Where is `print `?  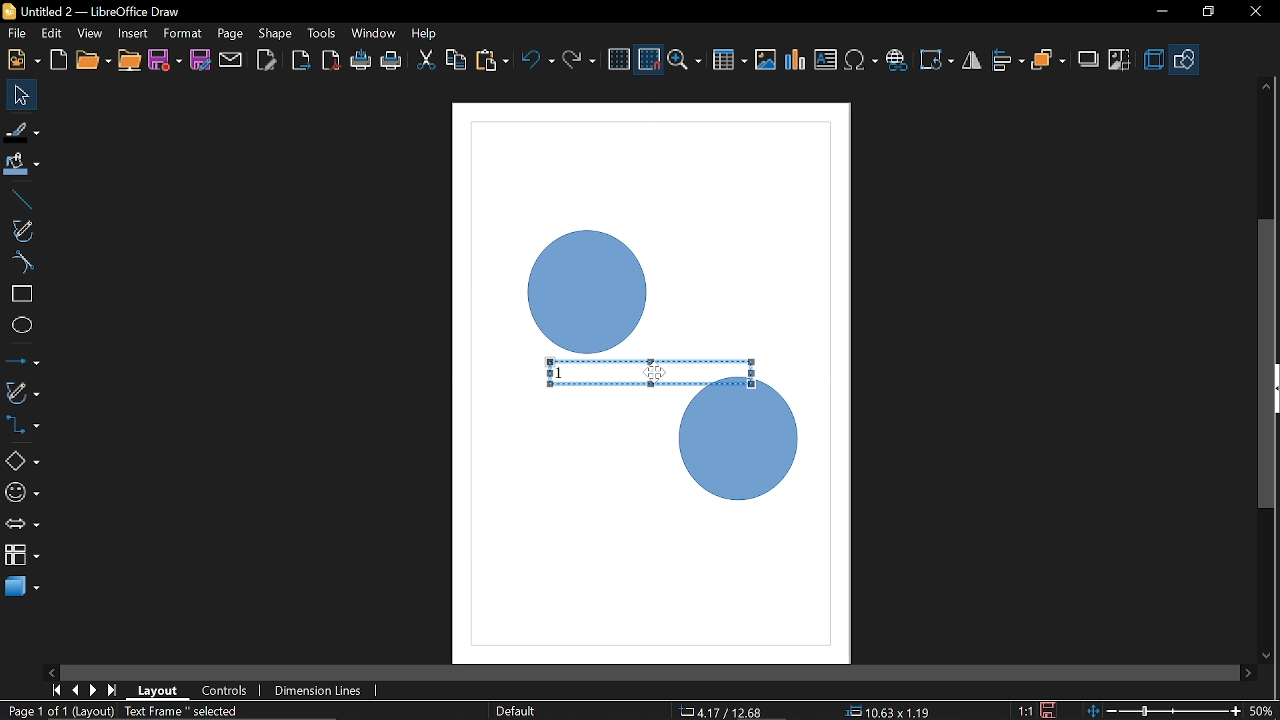
print  is located at coordinates (362, 61).